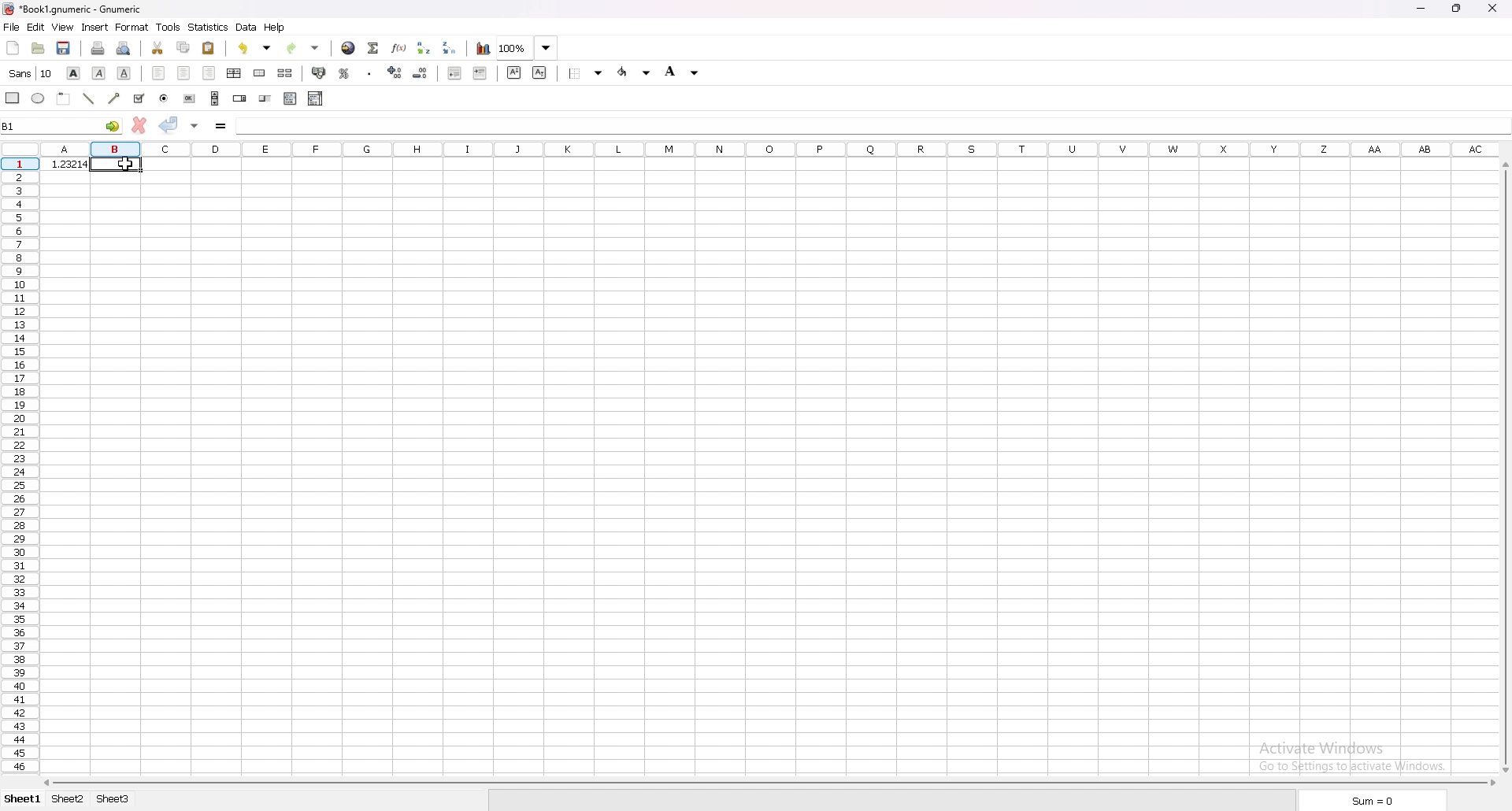  Describe the element at coordinates (139, 124) in the screenshot. I see `cancel changes` at that location.